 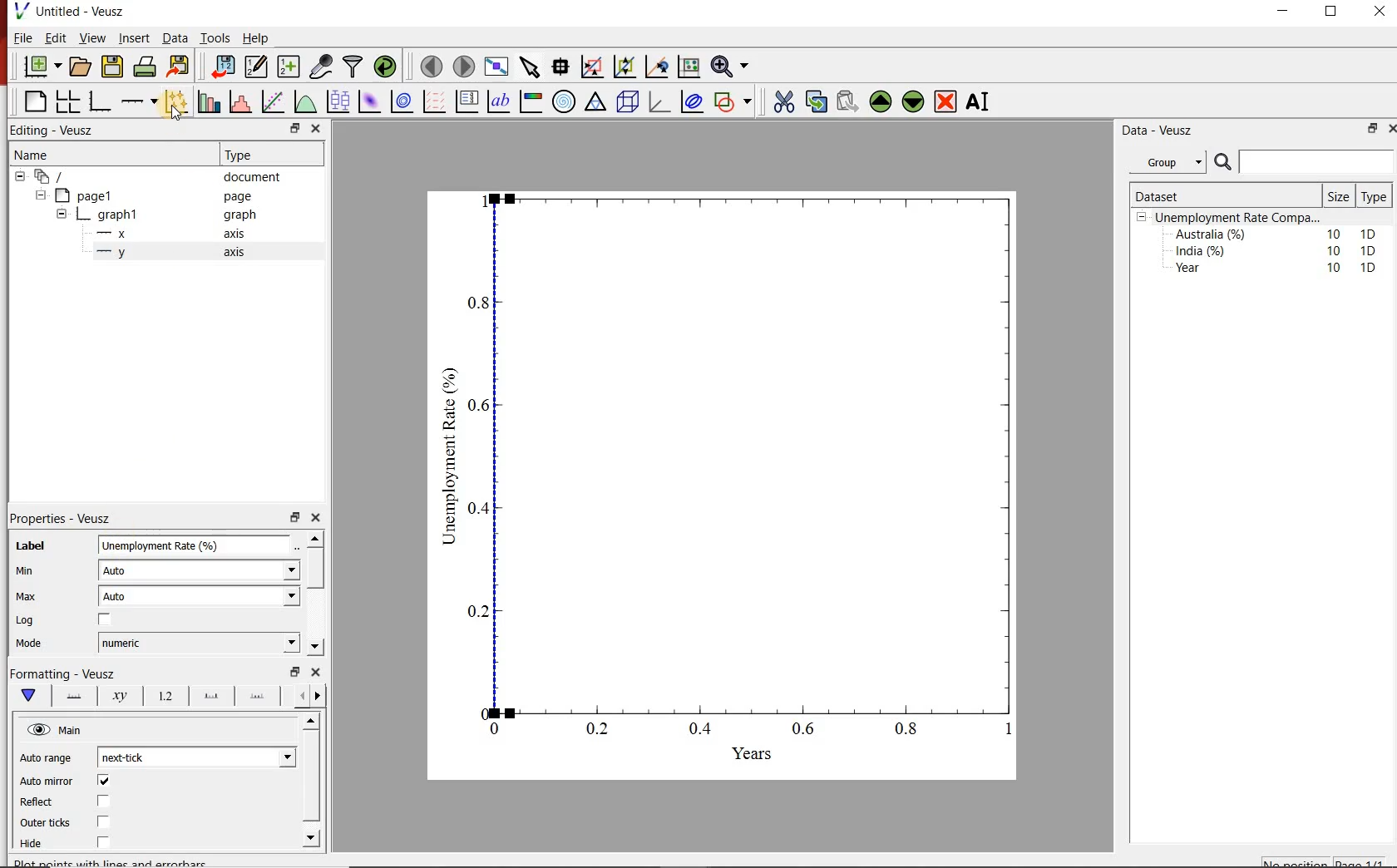 I want to click on main, so click(x=32, y=696).